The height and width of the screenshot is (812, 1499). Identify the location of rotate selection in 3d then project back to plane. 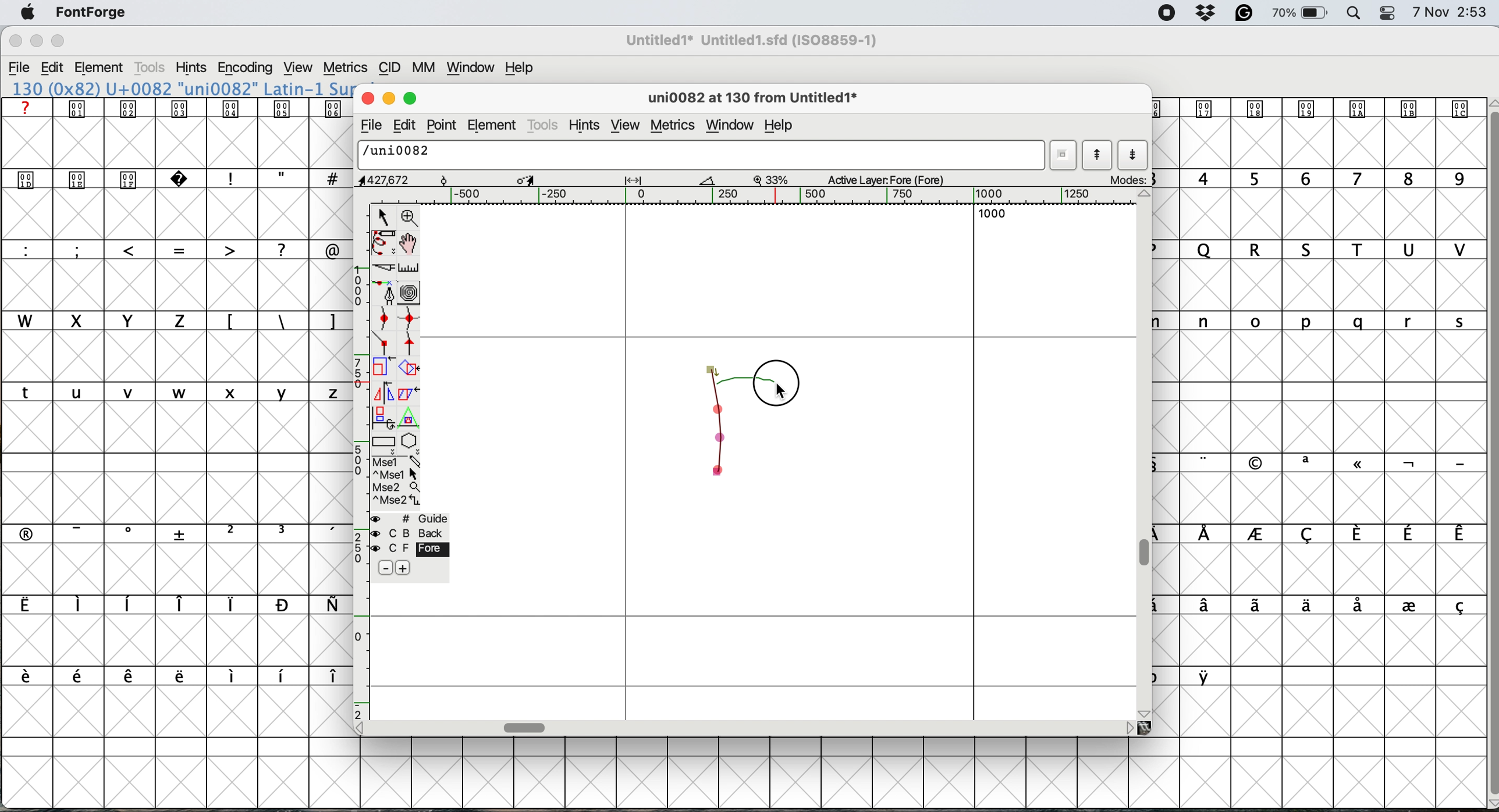
(384, 418).